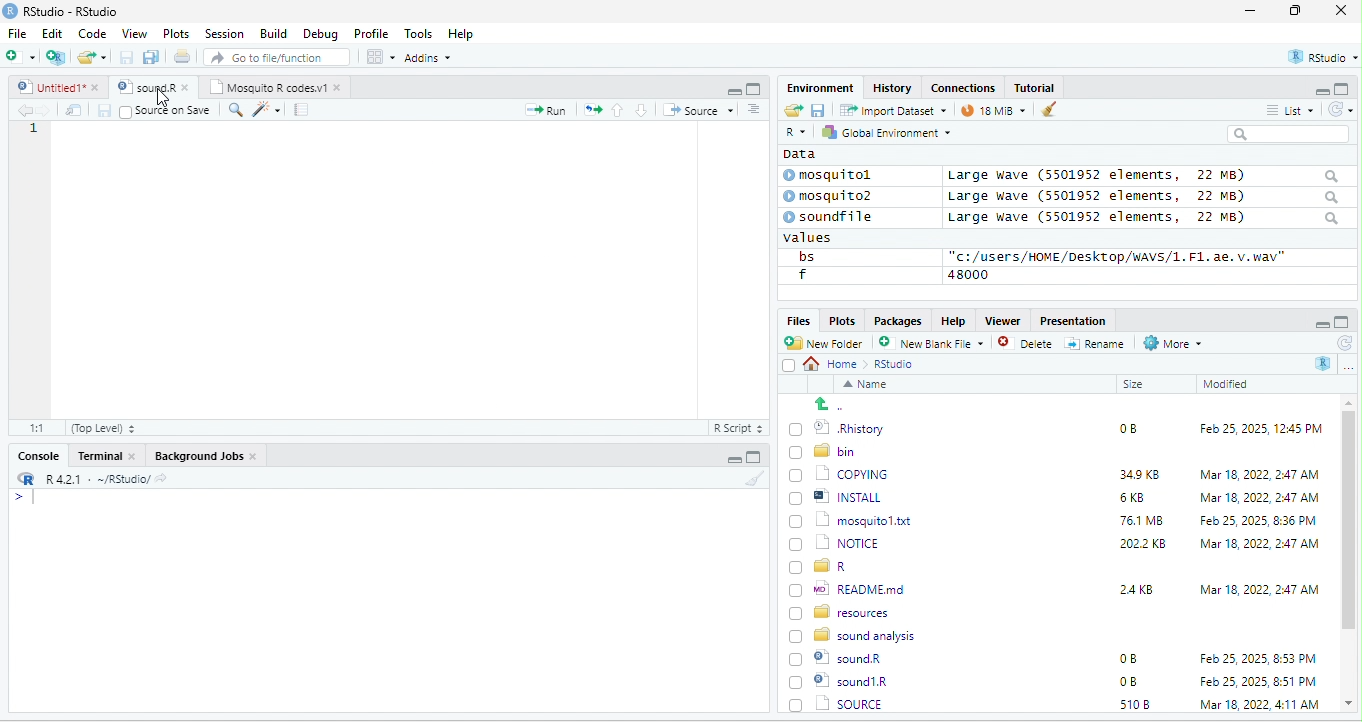 This screenshot has width=1362, height=722. I want to click on # import Dataset, so click(891, 109).